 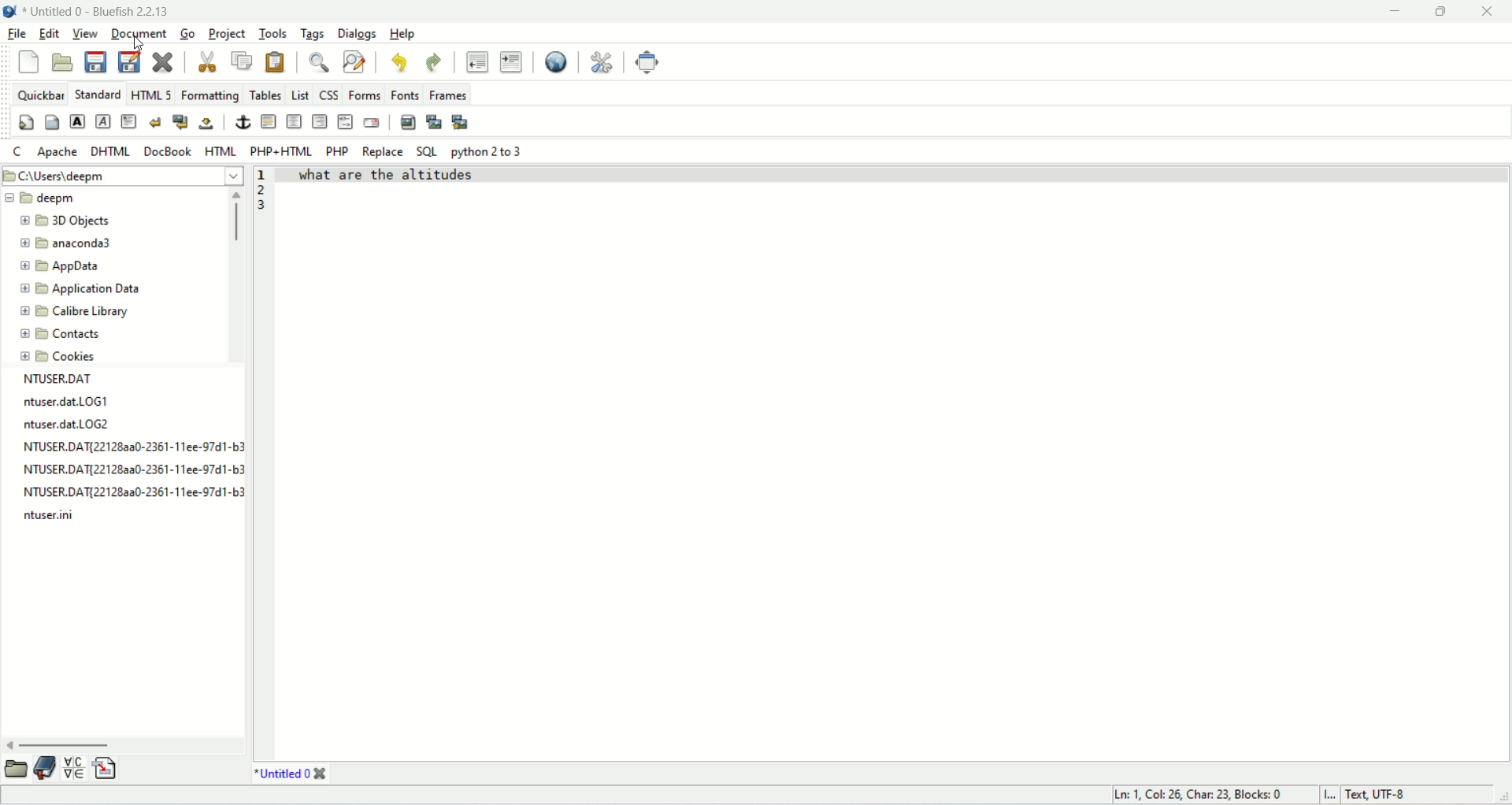 I want to click on cut, so click(x=209, y=62).